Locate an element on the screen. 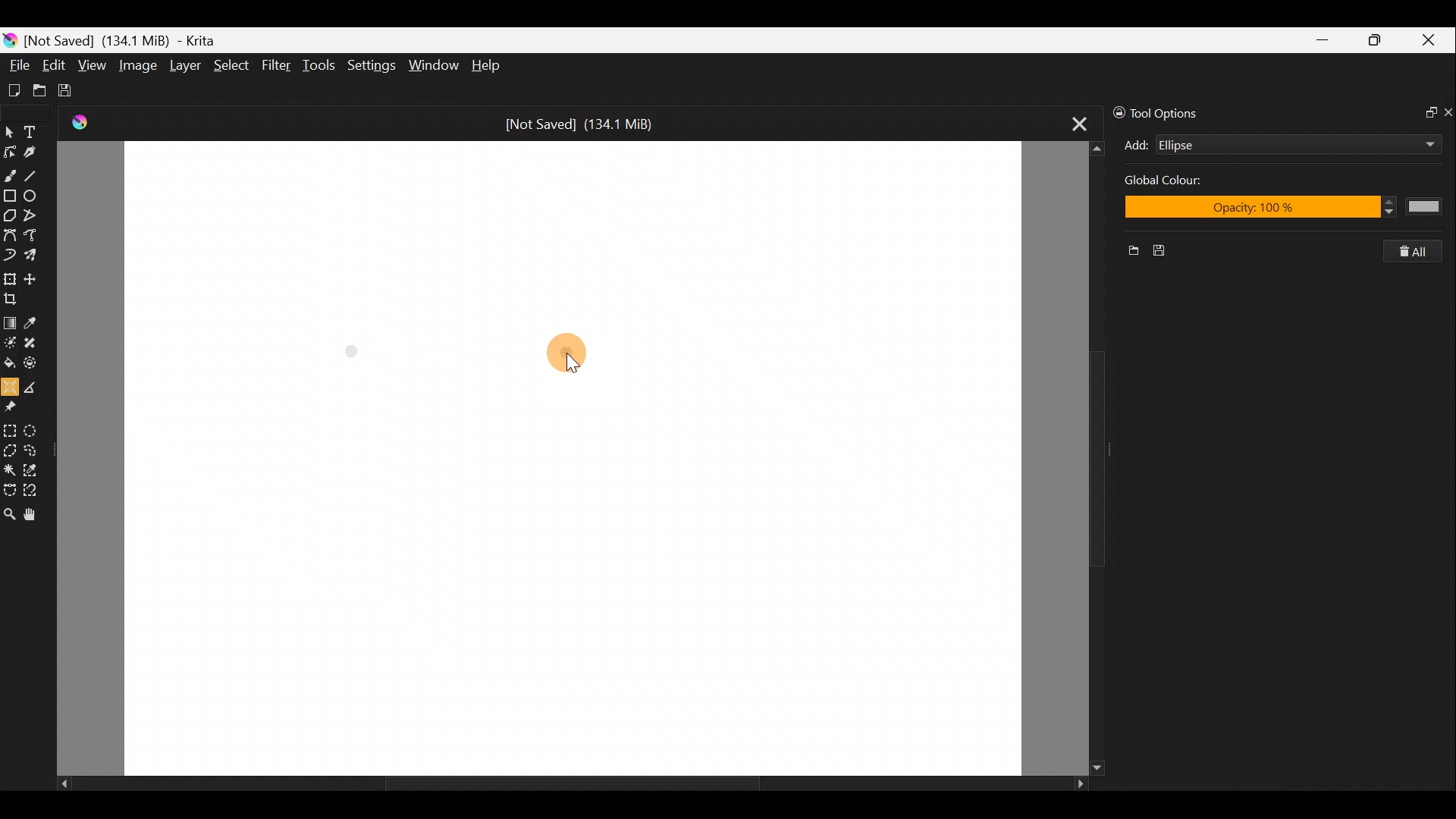  Help is located at coordinates (487, 66).